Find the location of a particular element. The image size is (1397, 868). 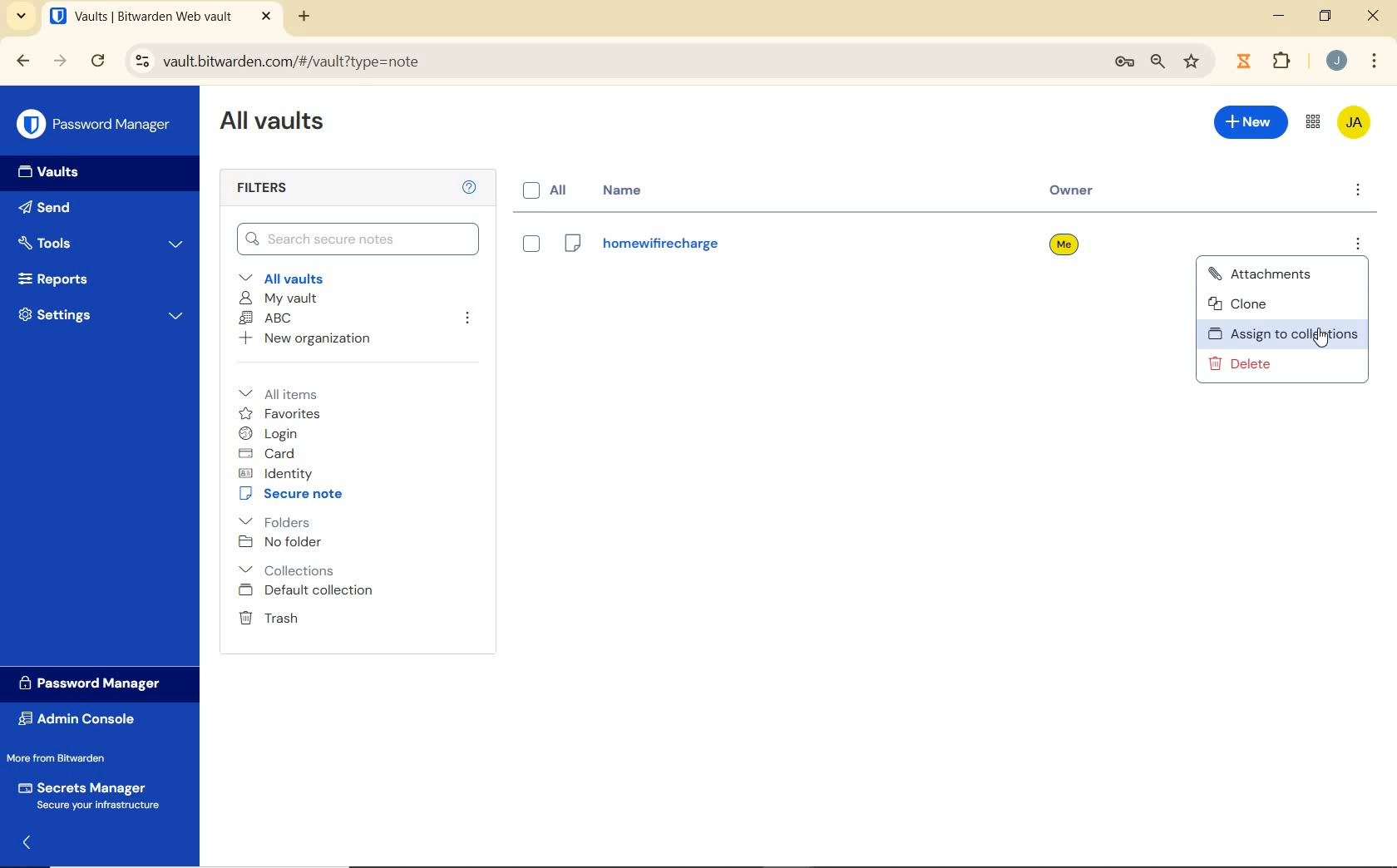

Account is located at coordinates (1335, 60).